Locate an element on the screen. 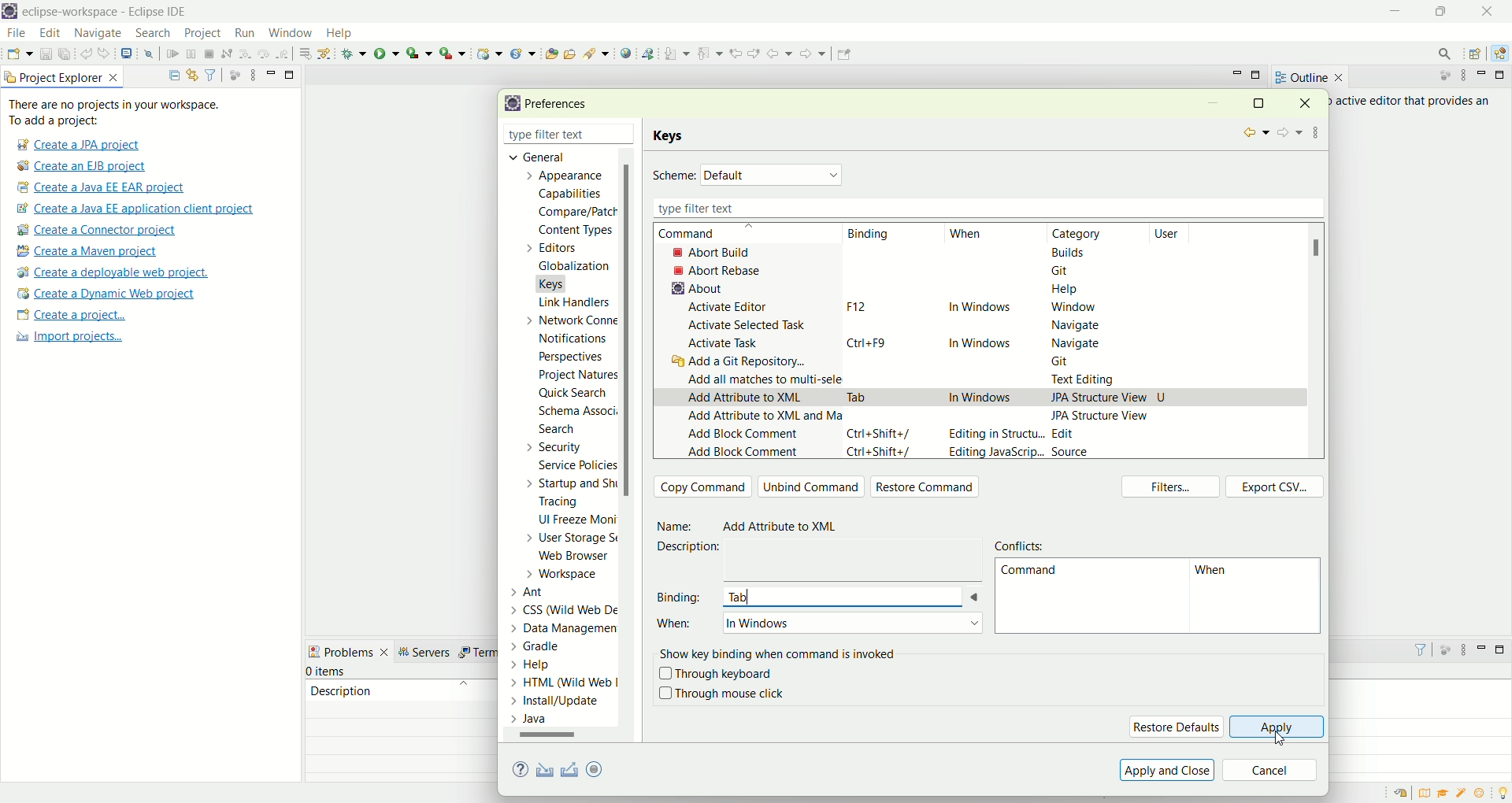 This screenshot has width=1512, height=803. problems is located at coordinates (349, 650).